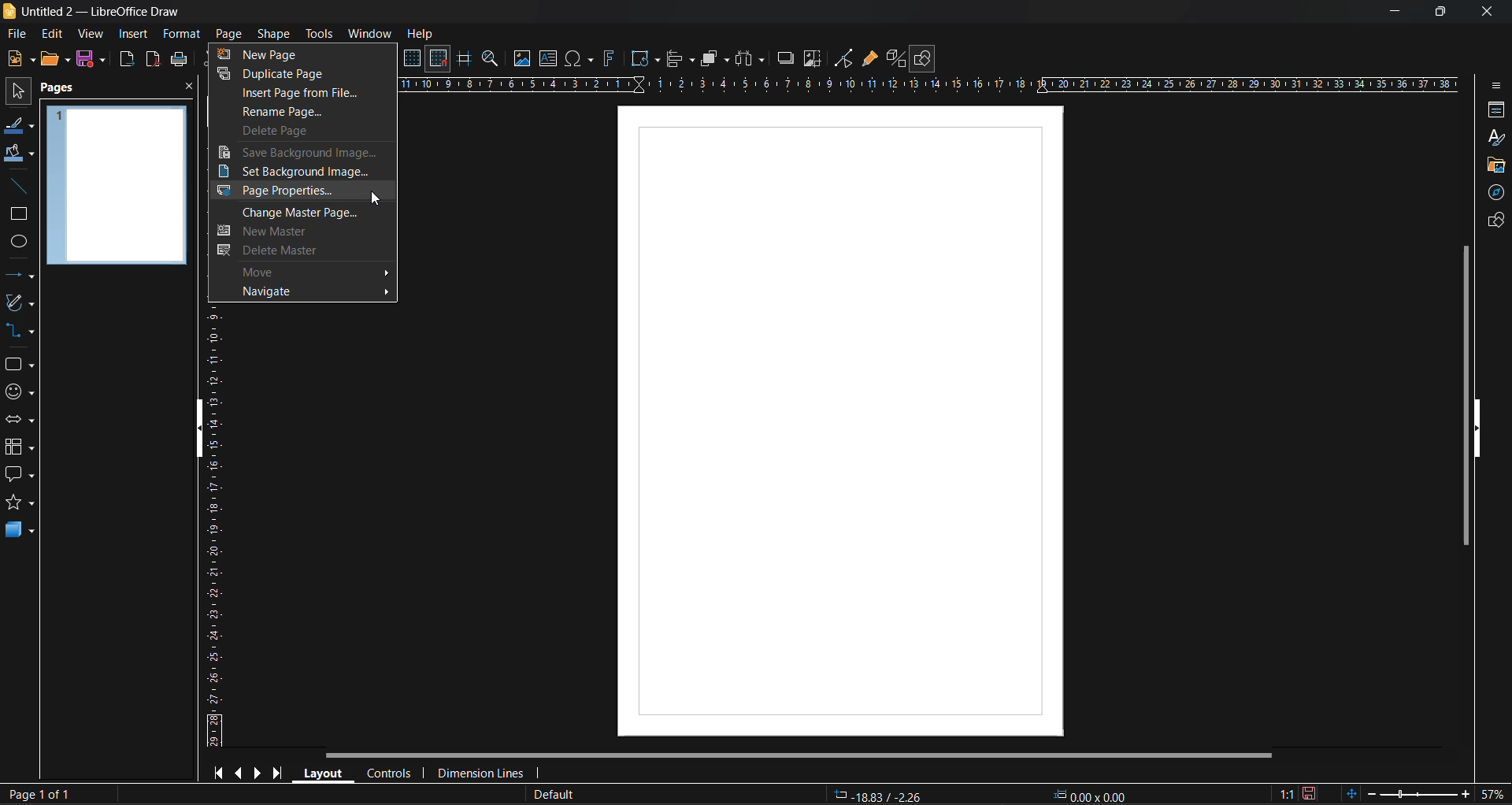 The image size is (1512, 805). What do you see at coordinates (846, 60) in the screenshot?
I see `toggle point` at bounding box center [846, 60].